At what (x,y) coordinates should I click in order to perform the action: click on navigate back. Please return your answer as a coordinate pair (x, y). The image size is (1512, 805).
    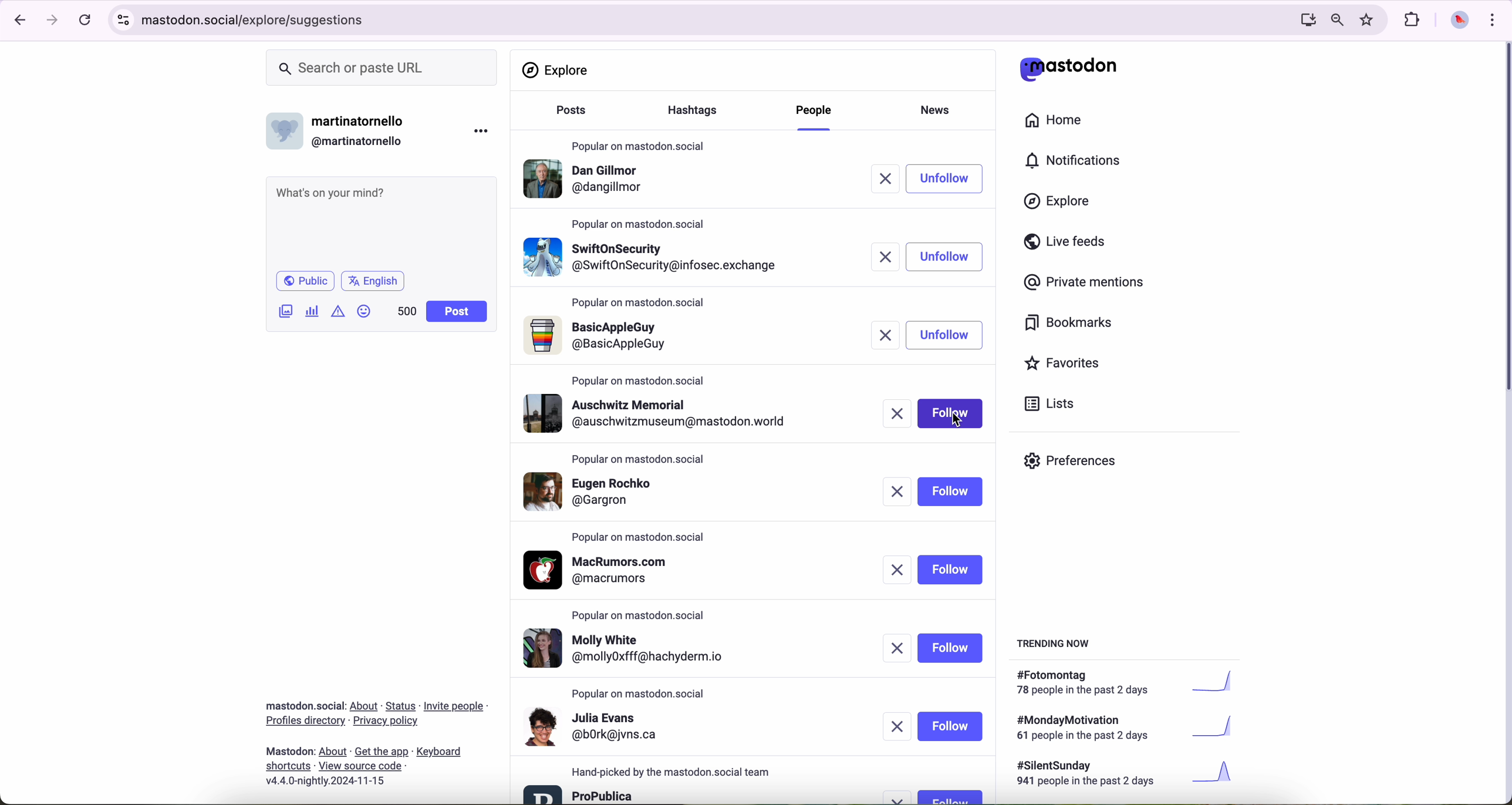
    Looking at the image, I should click on (16, 19).